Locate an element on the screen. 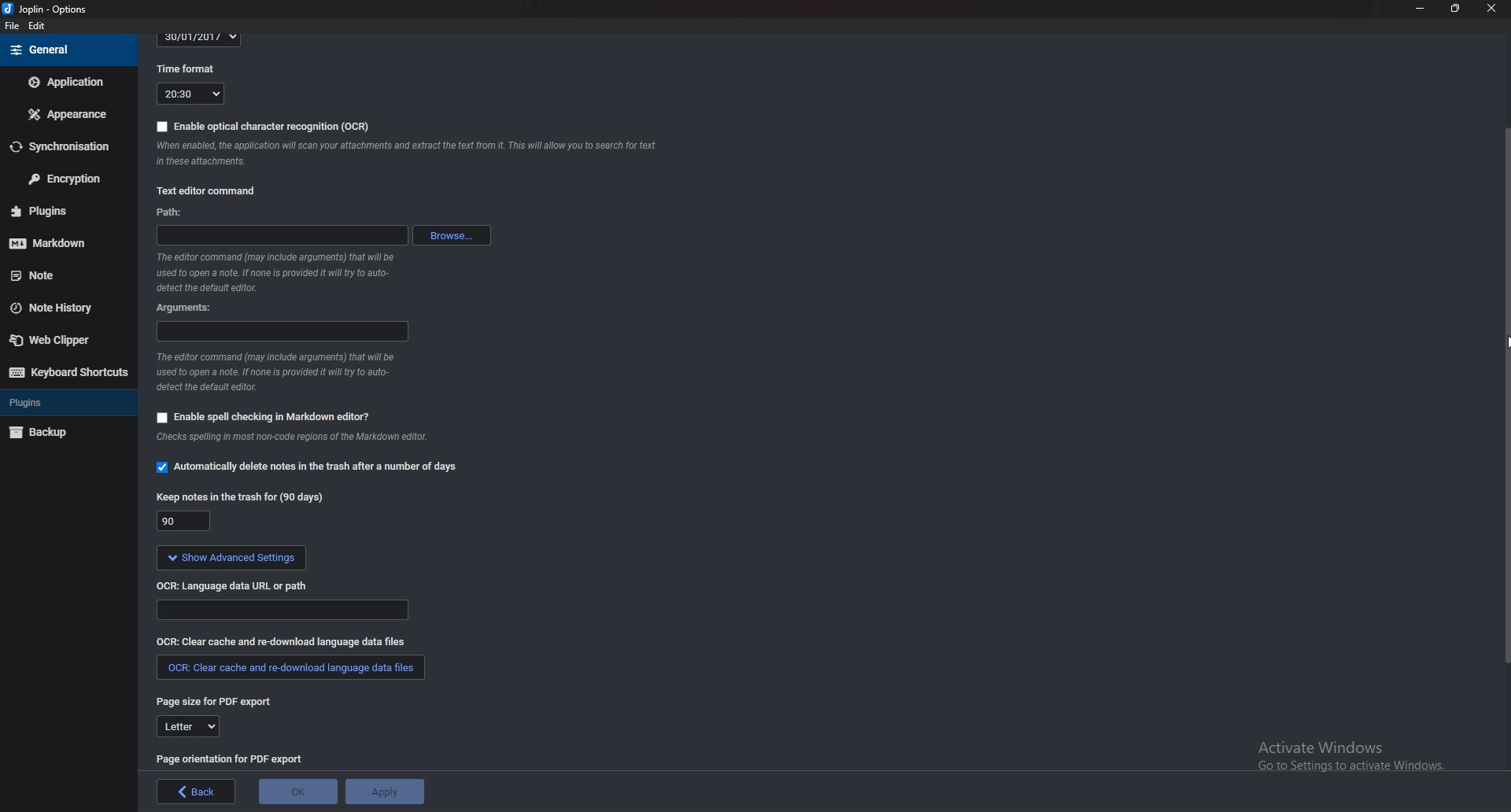  page orientation for P D F export is located at coordinates (232, 758).